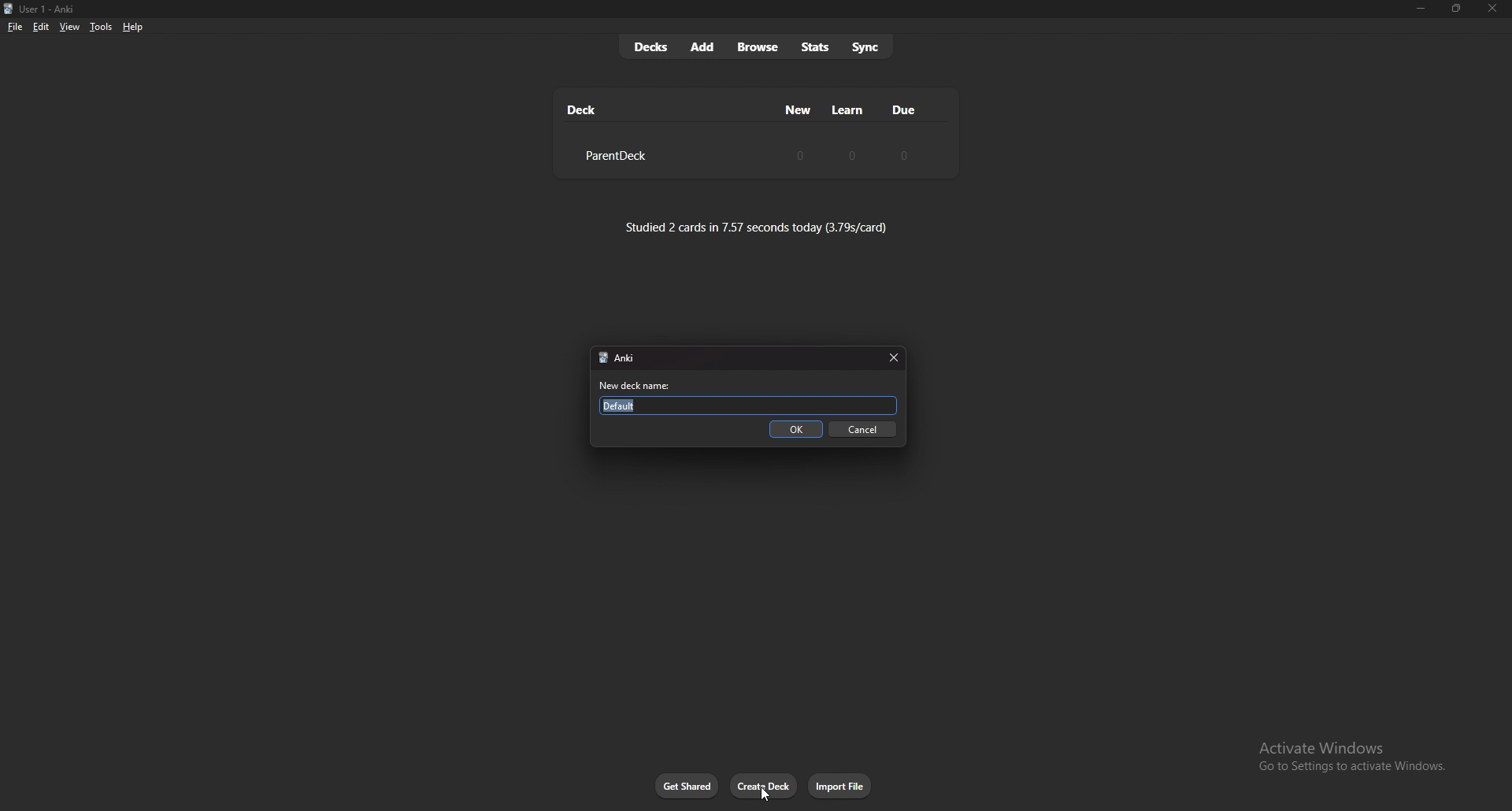 This screenshot has width=1512, height=811. Describe the element at coordinates (52, 9) in the screenshot. I see `User 1 - Anki` at that location.